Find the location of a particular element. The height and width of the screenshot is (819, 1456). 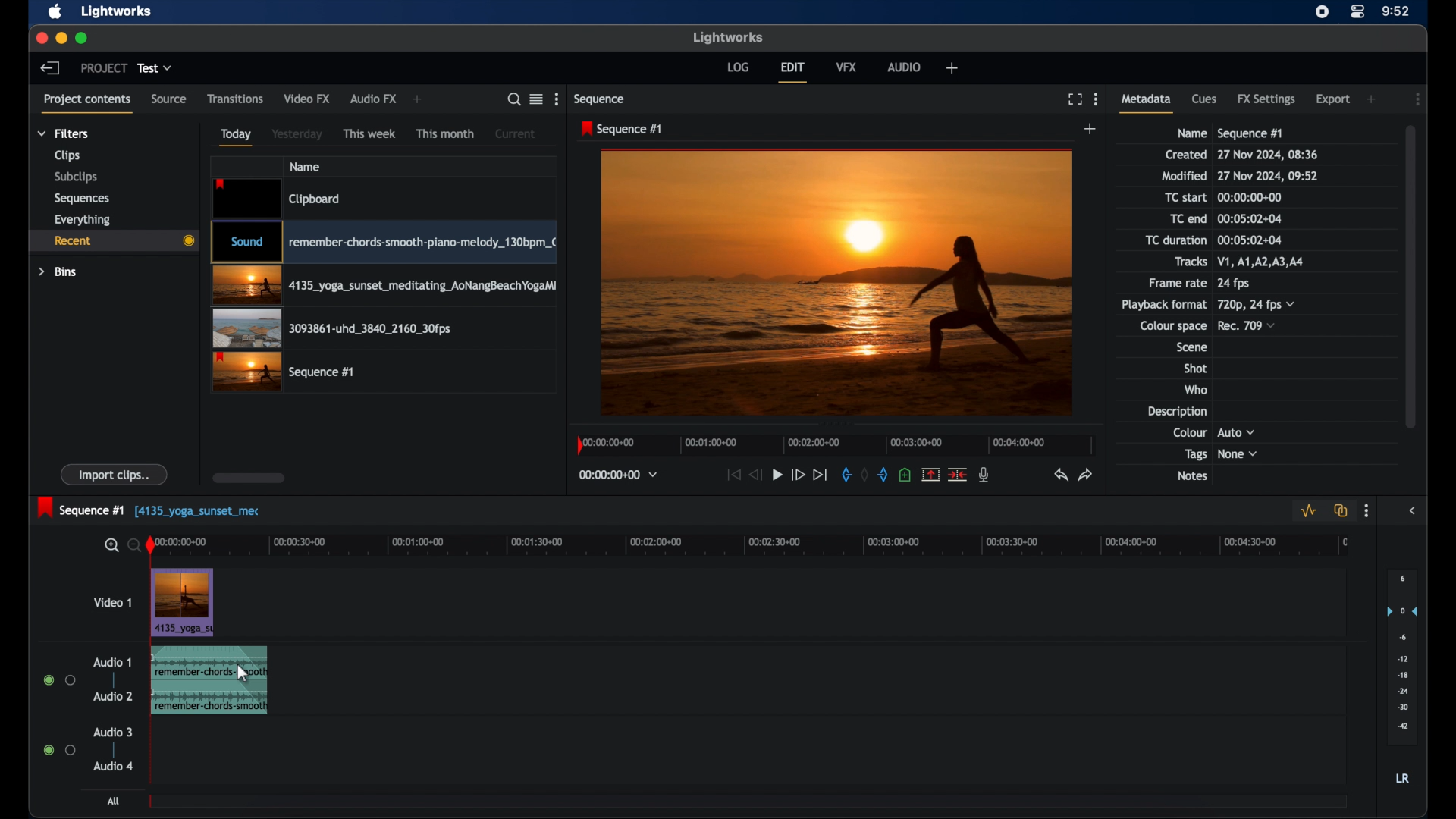

scene is located at coordinates (1191, 347).